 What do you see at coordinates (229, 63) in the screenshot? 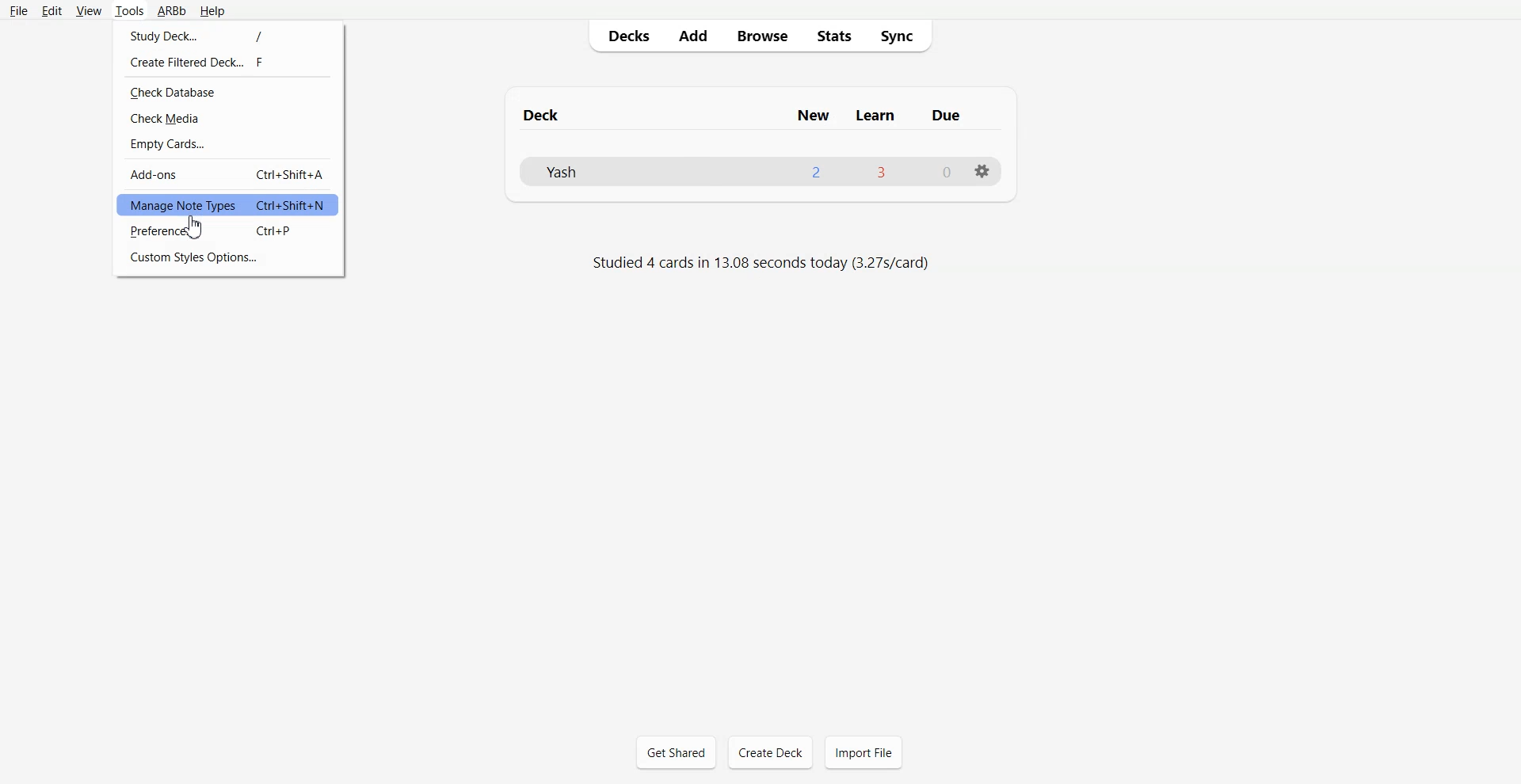
I see `Create Filtered Deck` at bounding box center [229, 63].